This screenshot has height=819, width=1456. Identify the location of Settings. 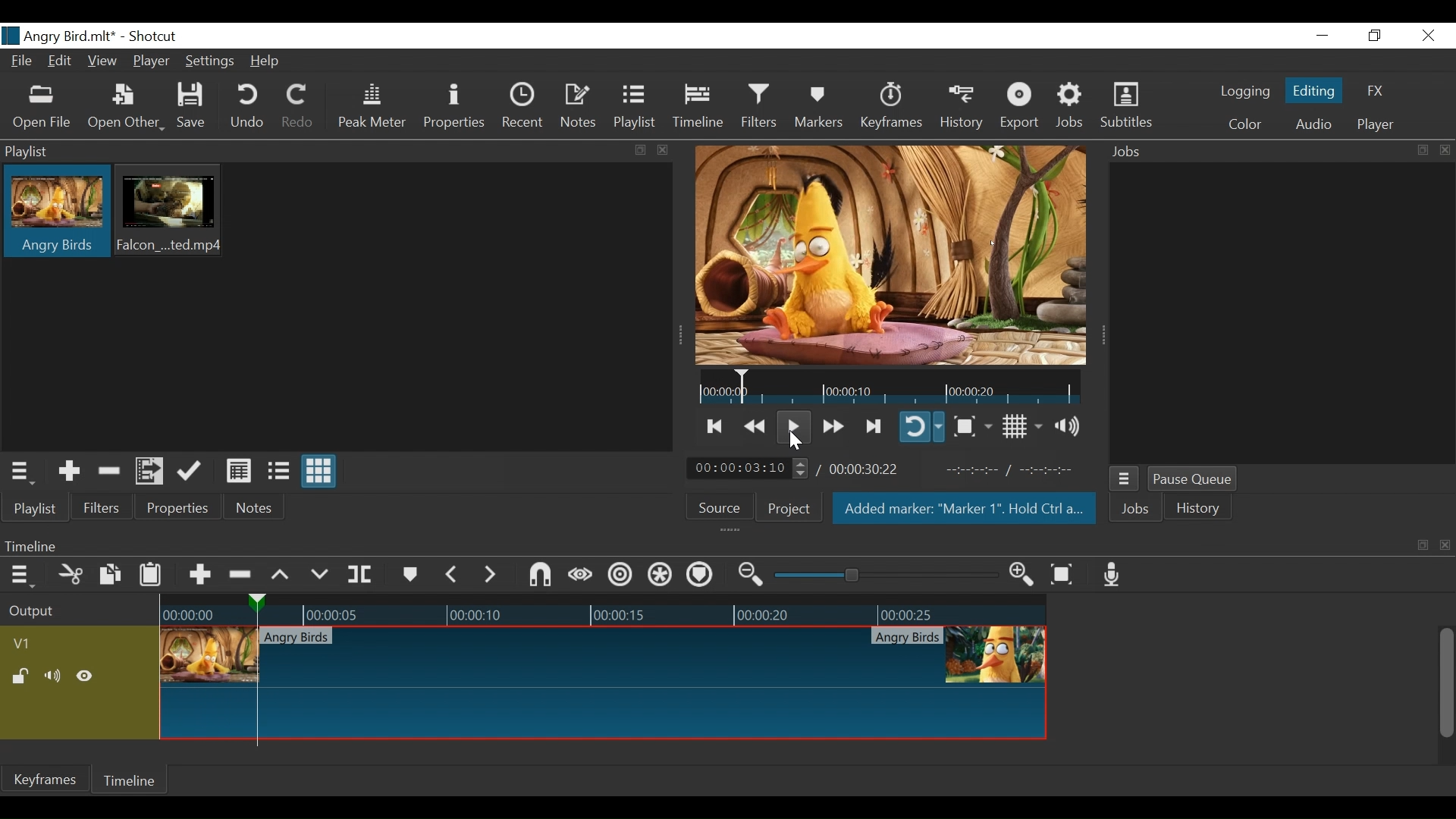
(212, 61).